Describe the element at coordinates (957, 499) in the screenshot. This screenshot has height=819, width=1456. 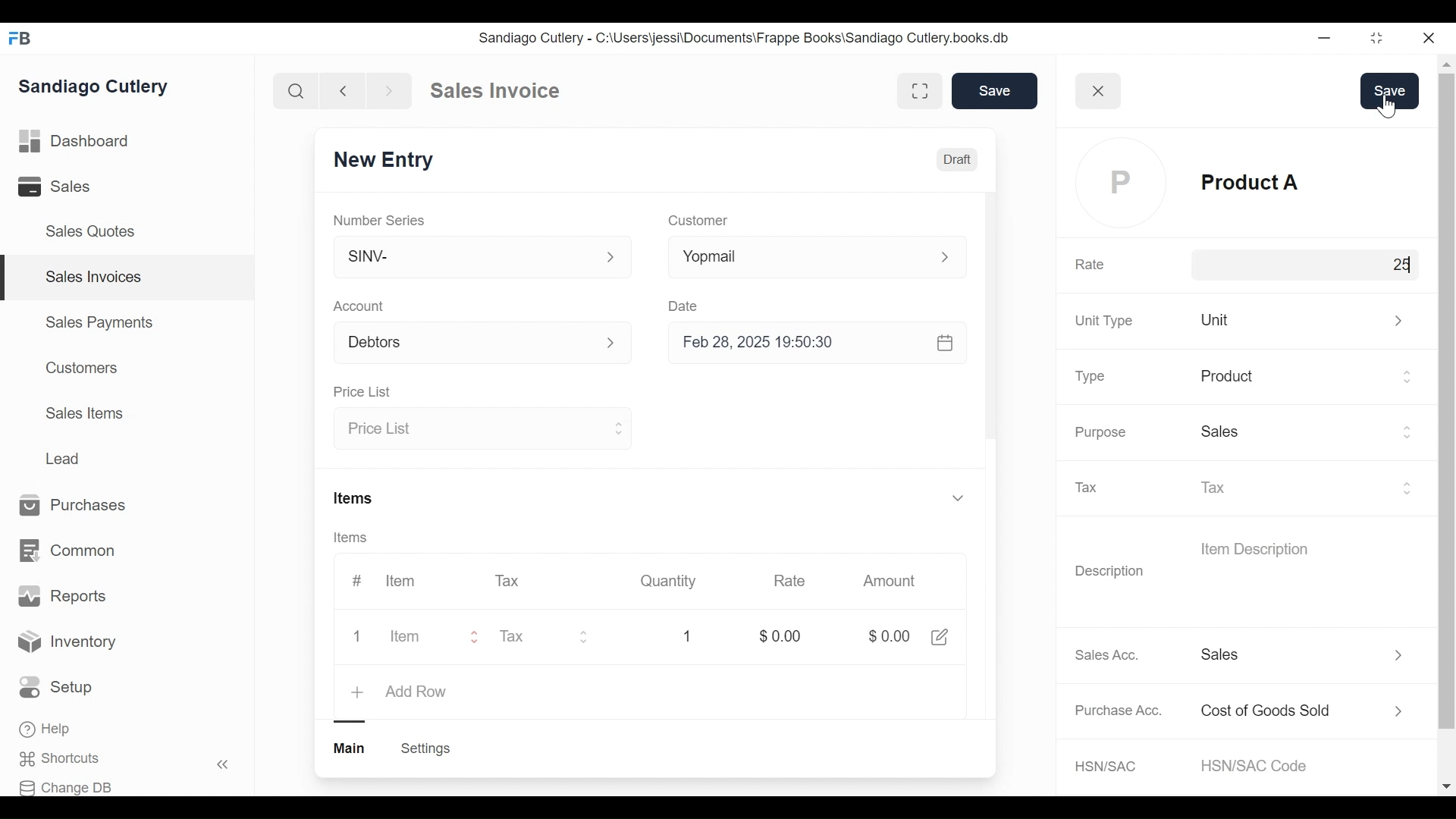
I see `v` at that location.